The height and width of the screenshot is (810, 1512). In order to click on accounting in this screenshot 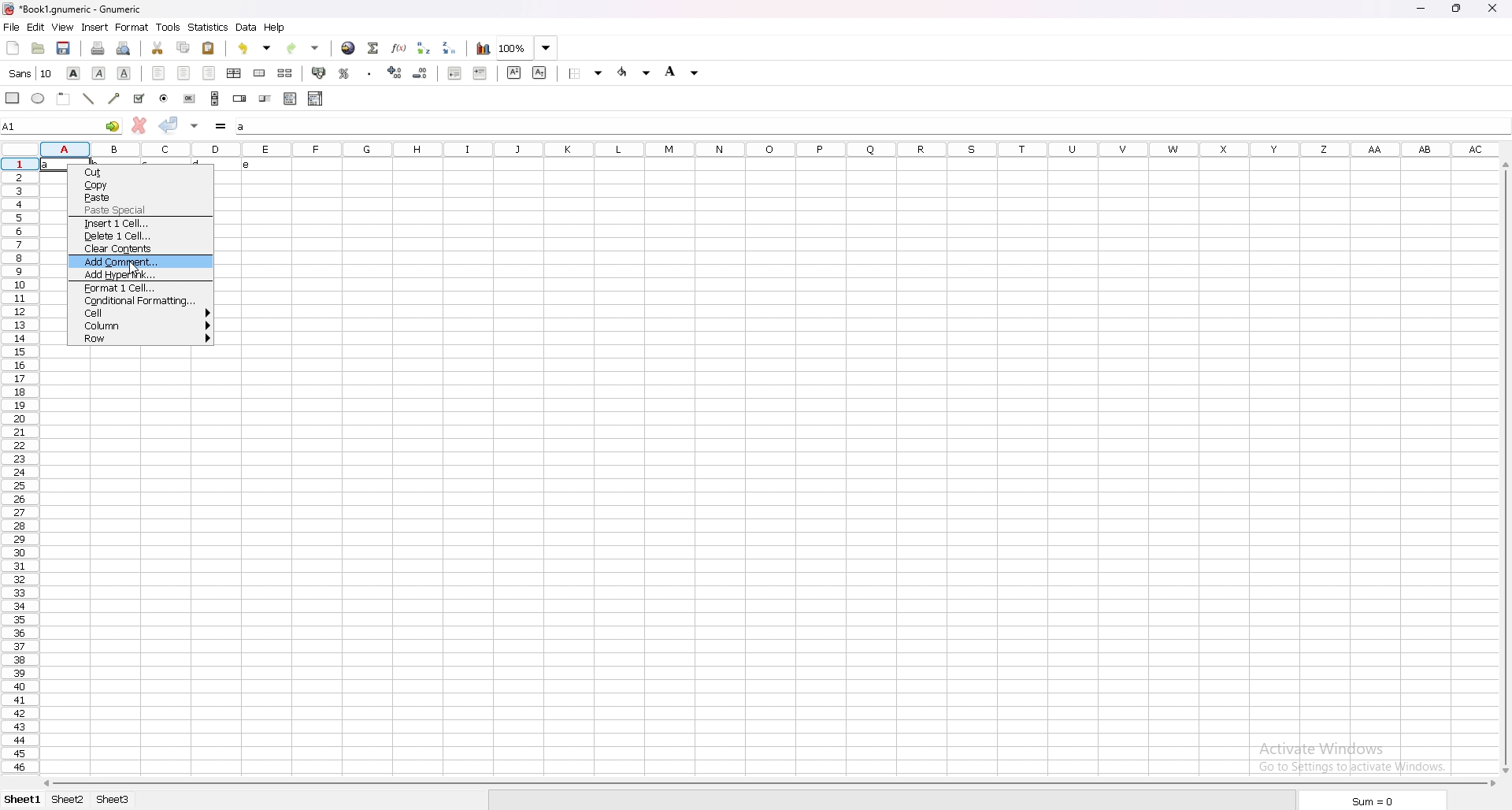, I will do `click(319, 72)`.